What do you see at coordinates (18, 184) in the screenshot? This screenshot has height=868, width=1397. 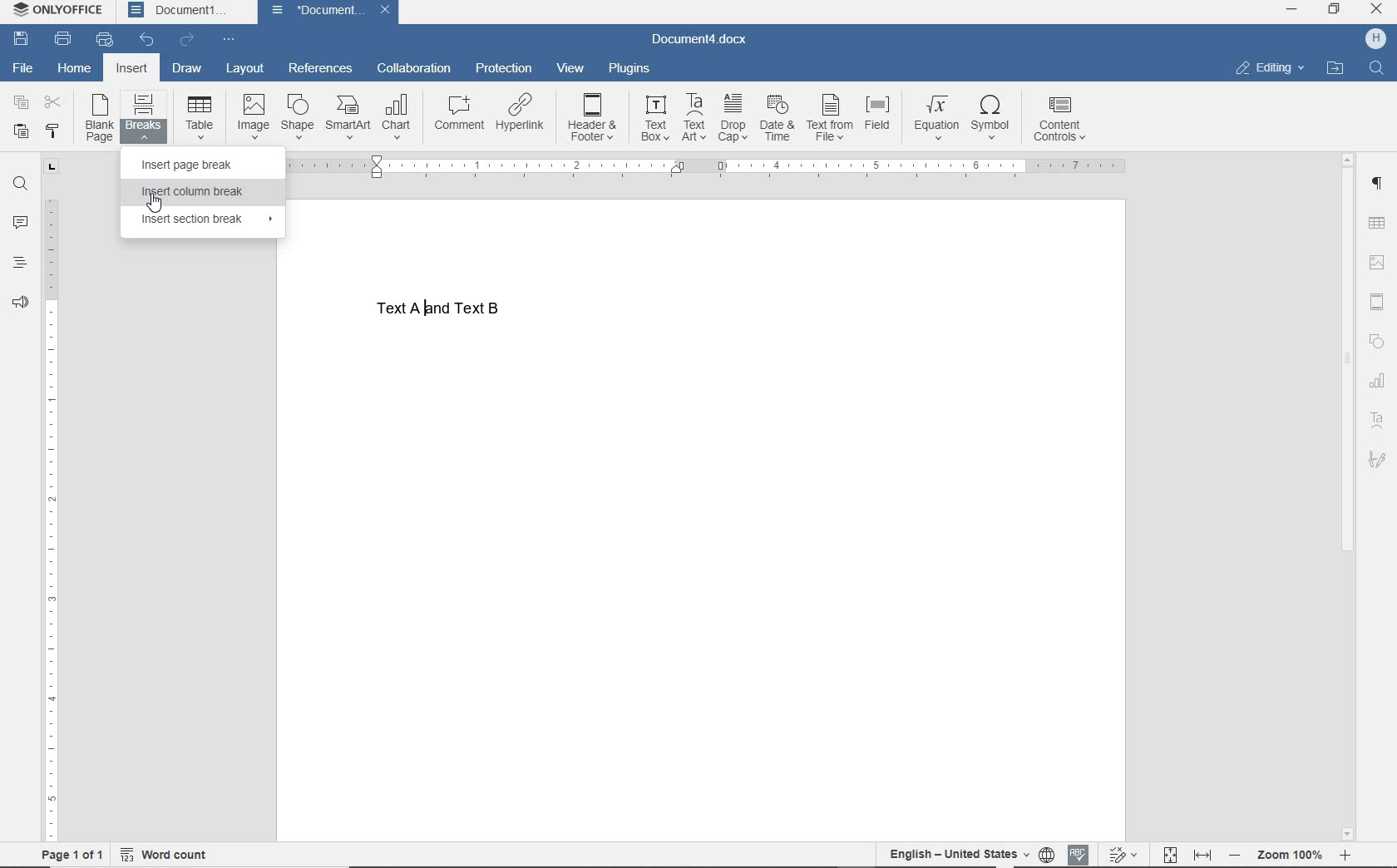 I see `FIND` at bounding box center [18, 184].